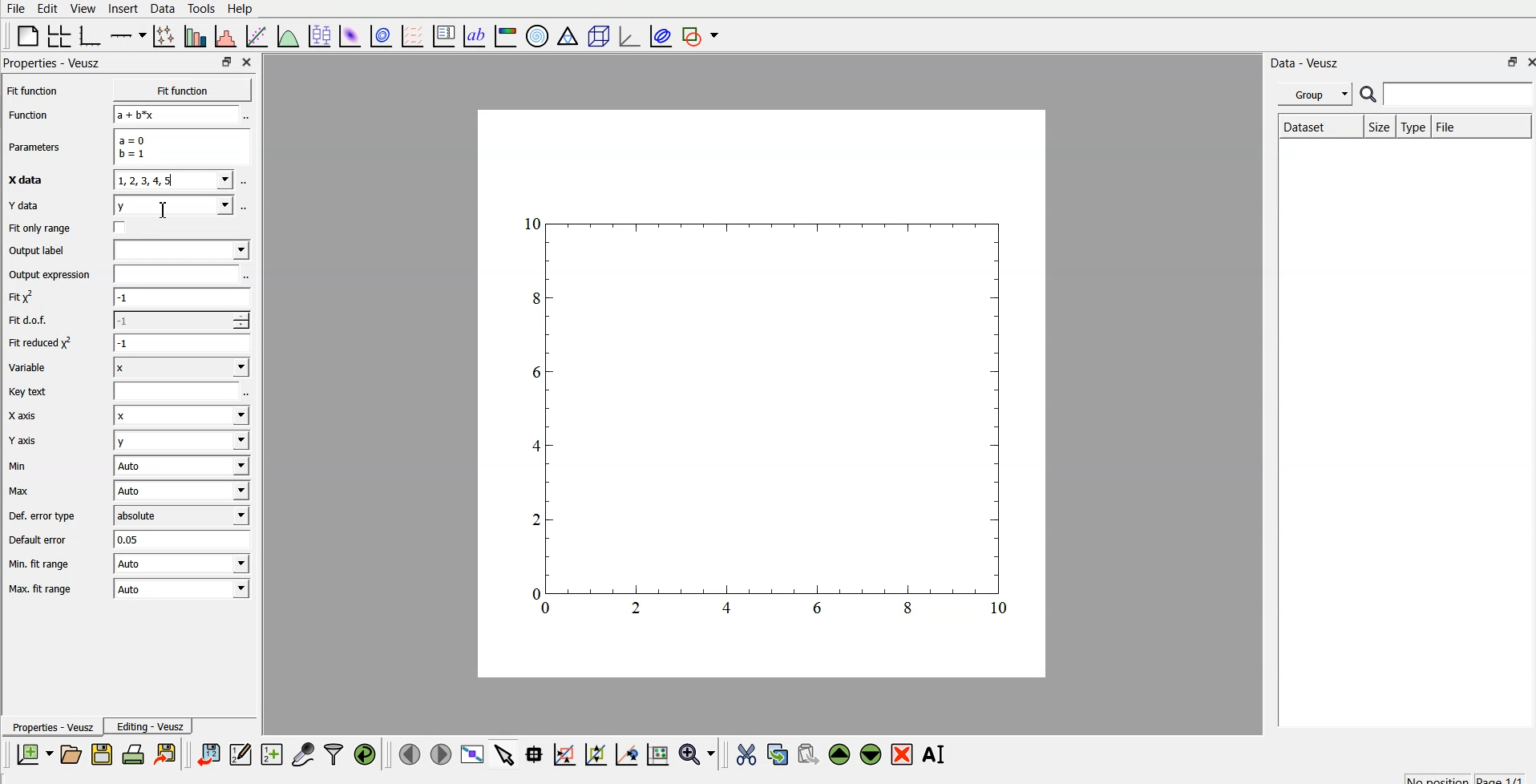 The image size is (1536, 784). Describe the element at coordinates (184, 92) in the screenshot. I see `Fit function` at that location.